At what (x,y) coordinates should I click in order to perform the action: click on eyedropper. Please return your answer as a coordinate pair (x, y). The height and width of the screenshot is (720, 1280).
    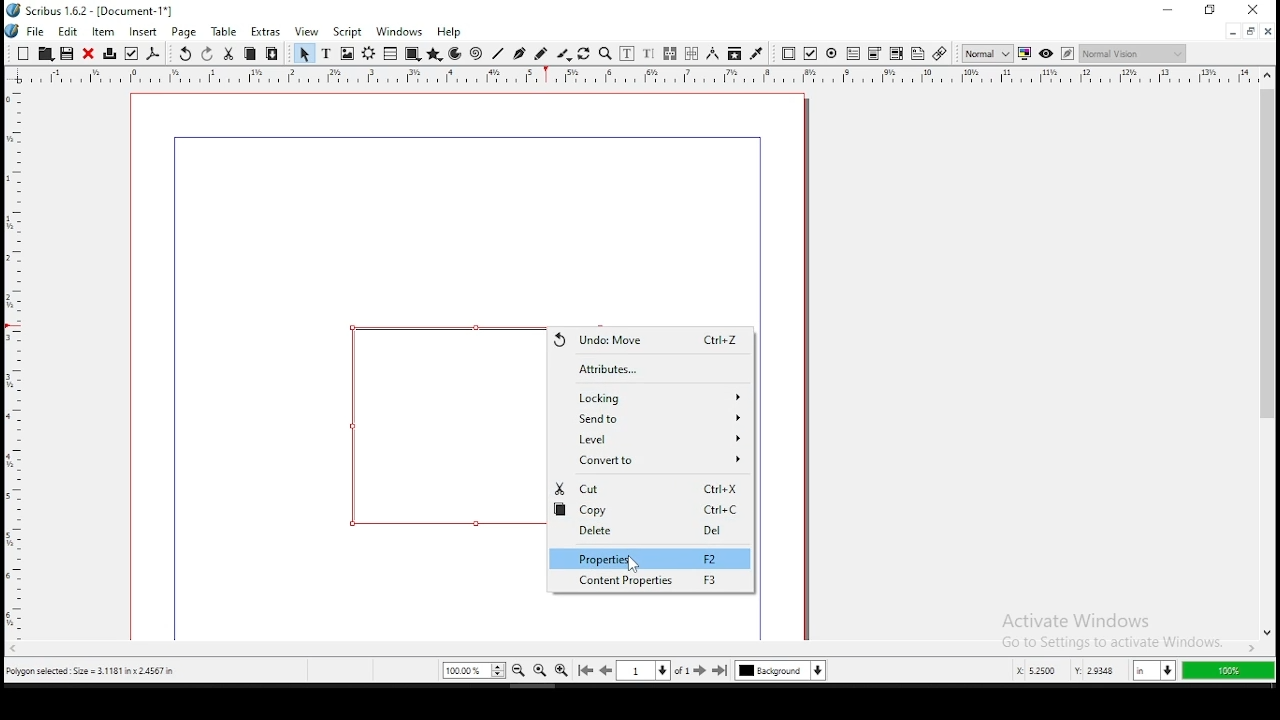
    Looking at the image, I should click on (757, 55).